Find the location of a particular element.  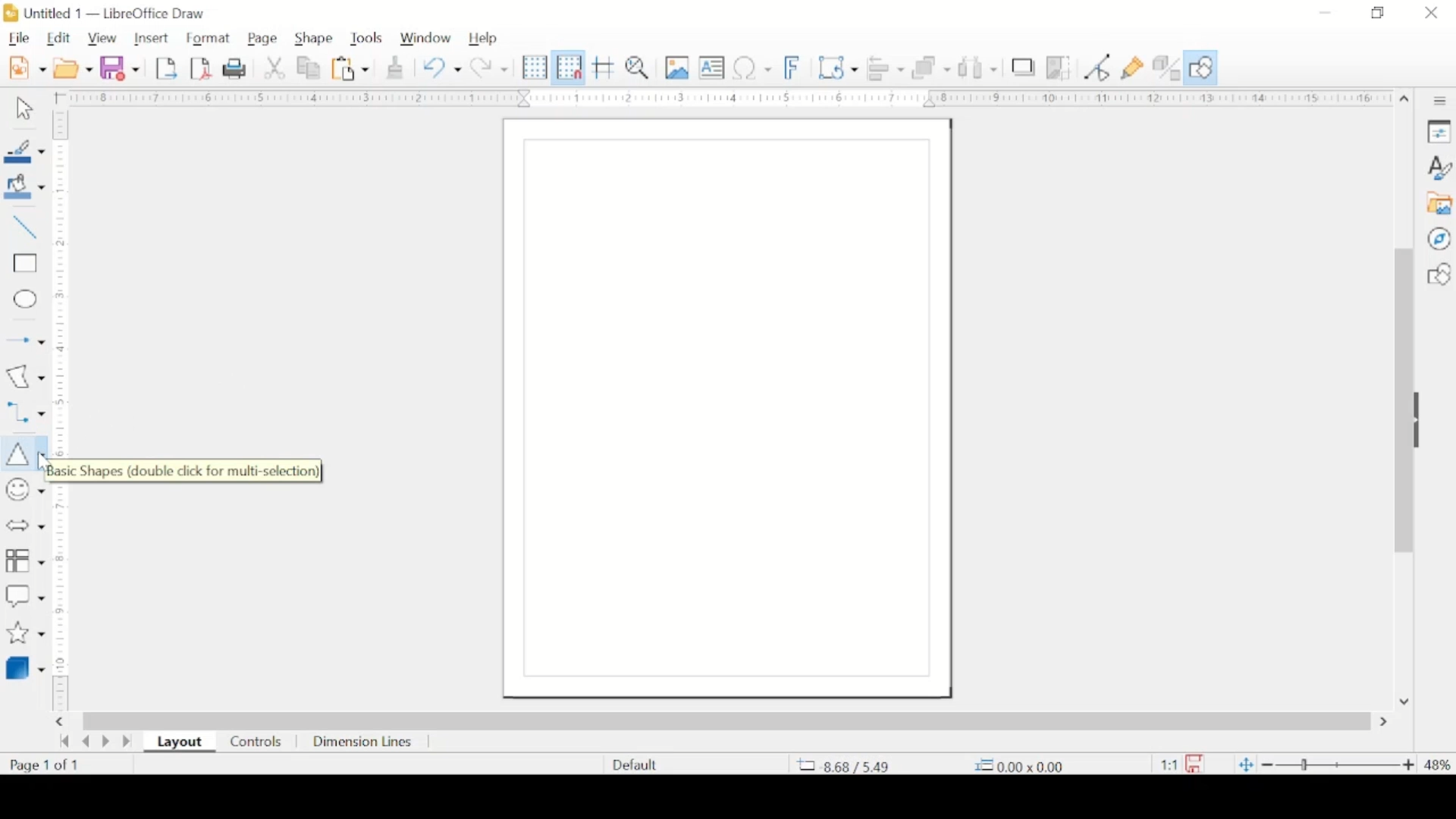

new is located at coordinates (29, 67).